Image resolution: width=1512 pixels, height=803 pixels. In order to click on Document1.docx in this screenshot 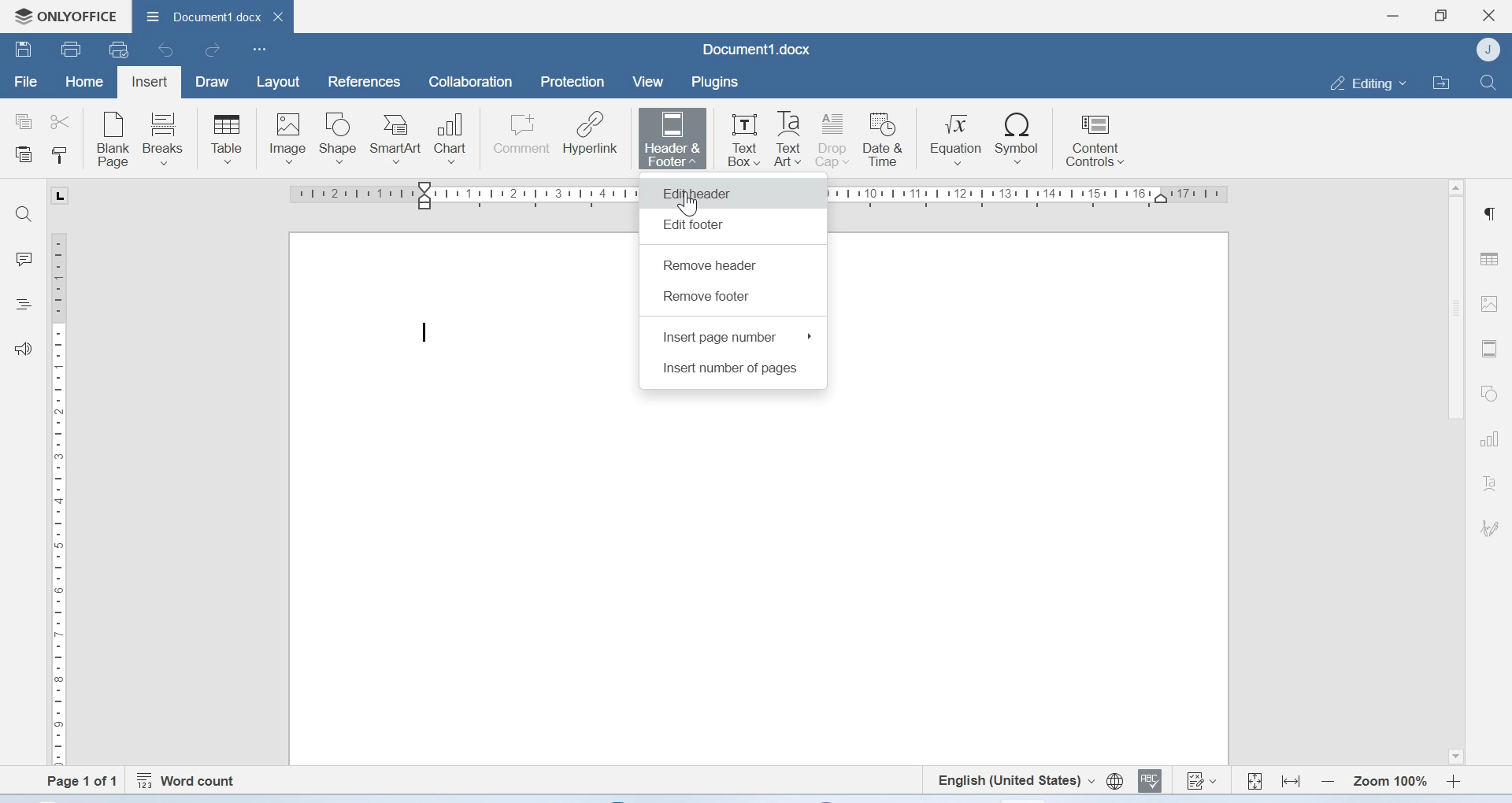, I will do `click(756, 49)`.